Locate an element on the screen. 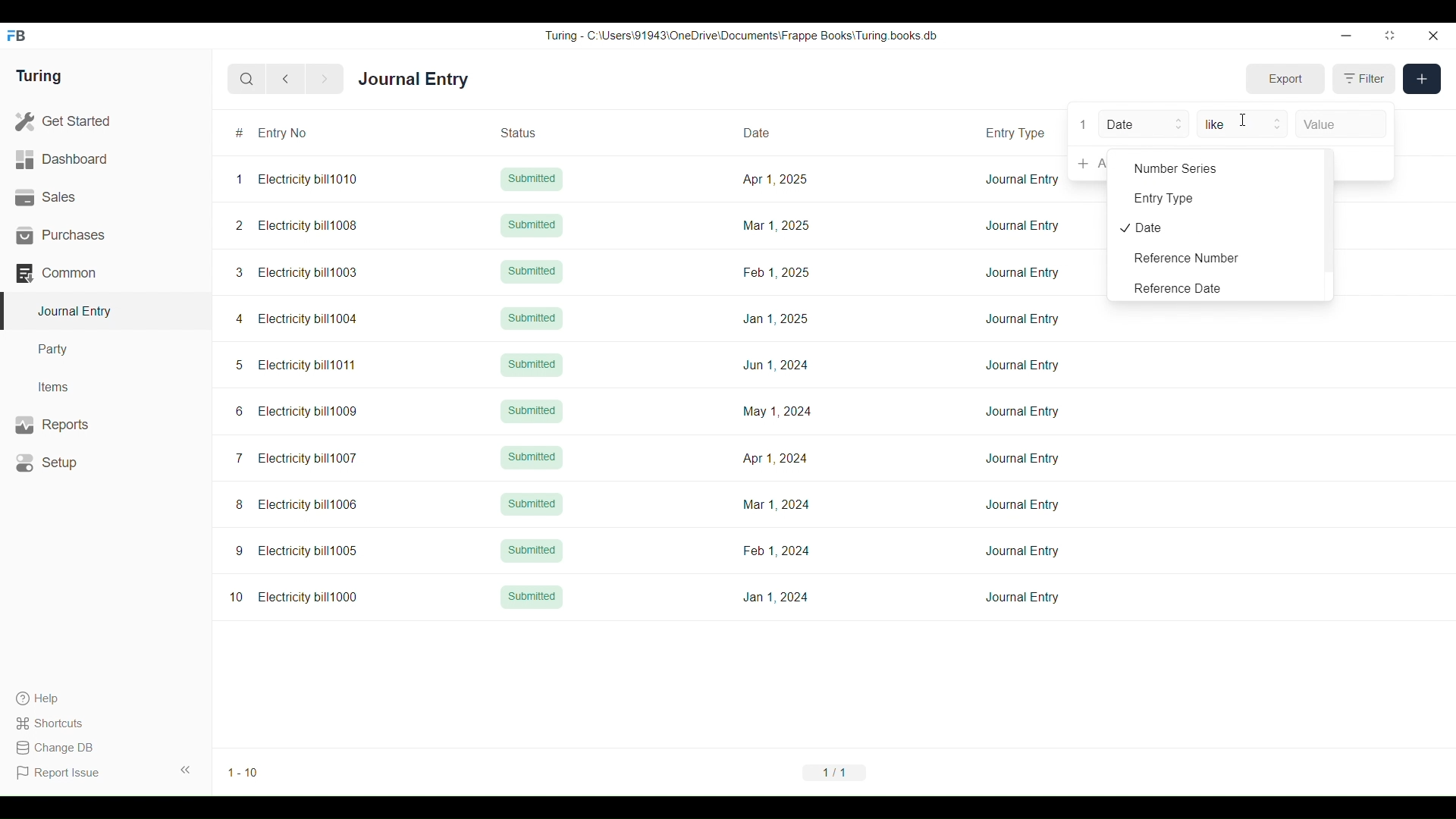  Add a filter is located at coordinates (1363, 164).